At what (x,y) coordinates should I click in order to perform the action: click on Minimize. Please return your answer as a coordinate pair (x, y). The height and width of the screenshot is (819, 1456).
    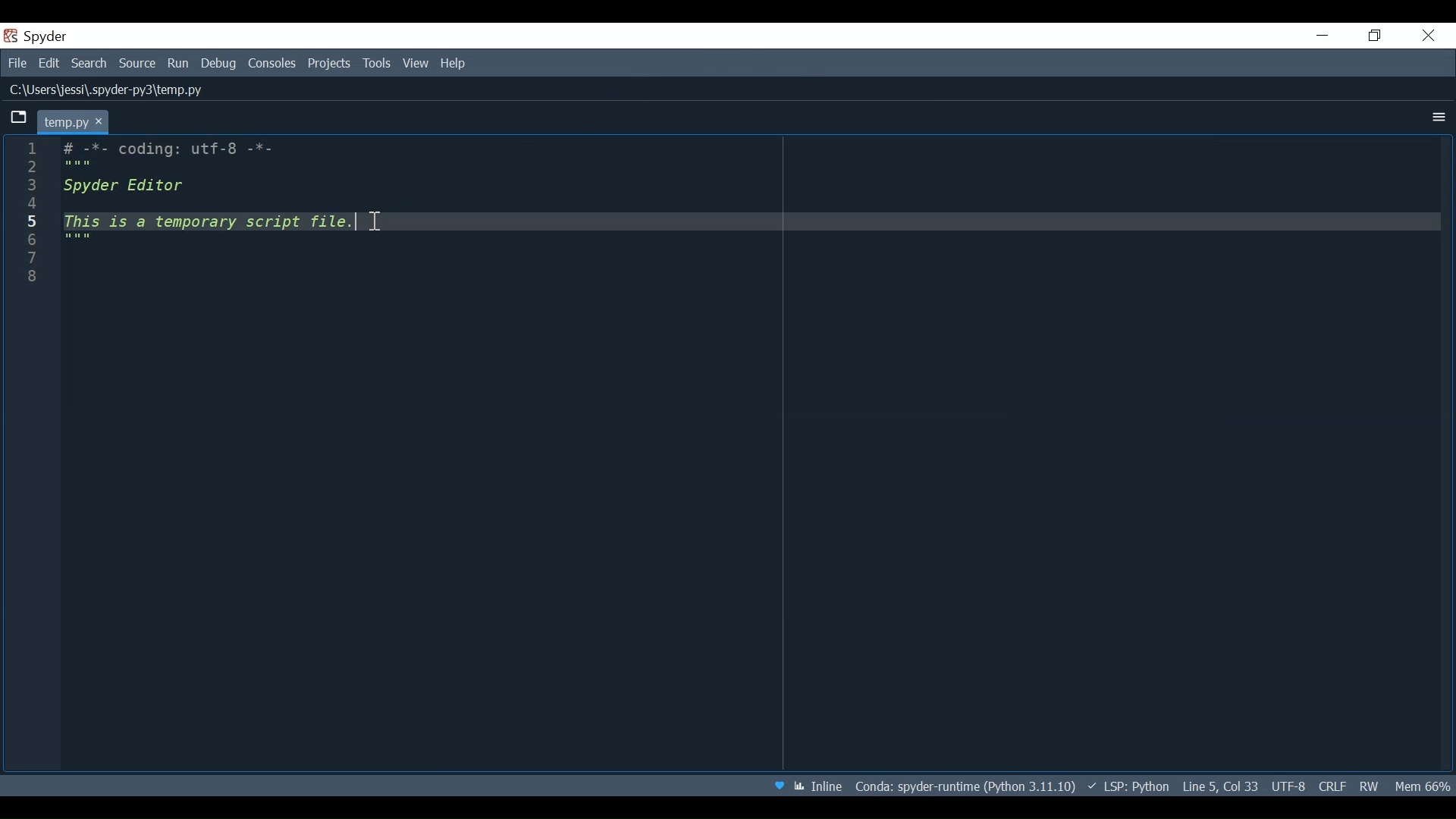
    Looking at the image, I should click on (1323, 35).